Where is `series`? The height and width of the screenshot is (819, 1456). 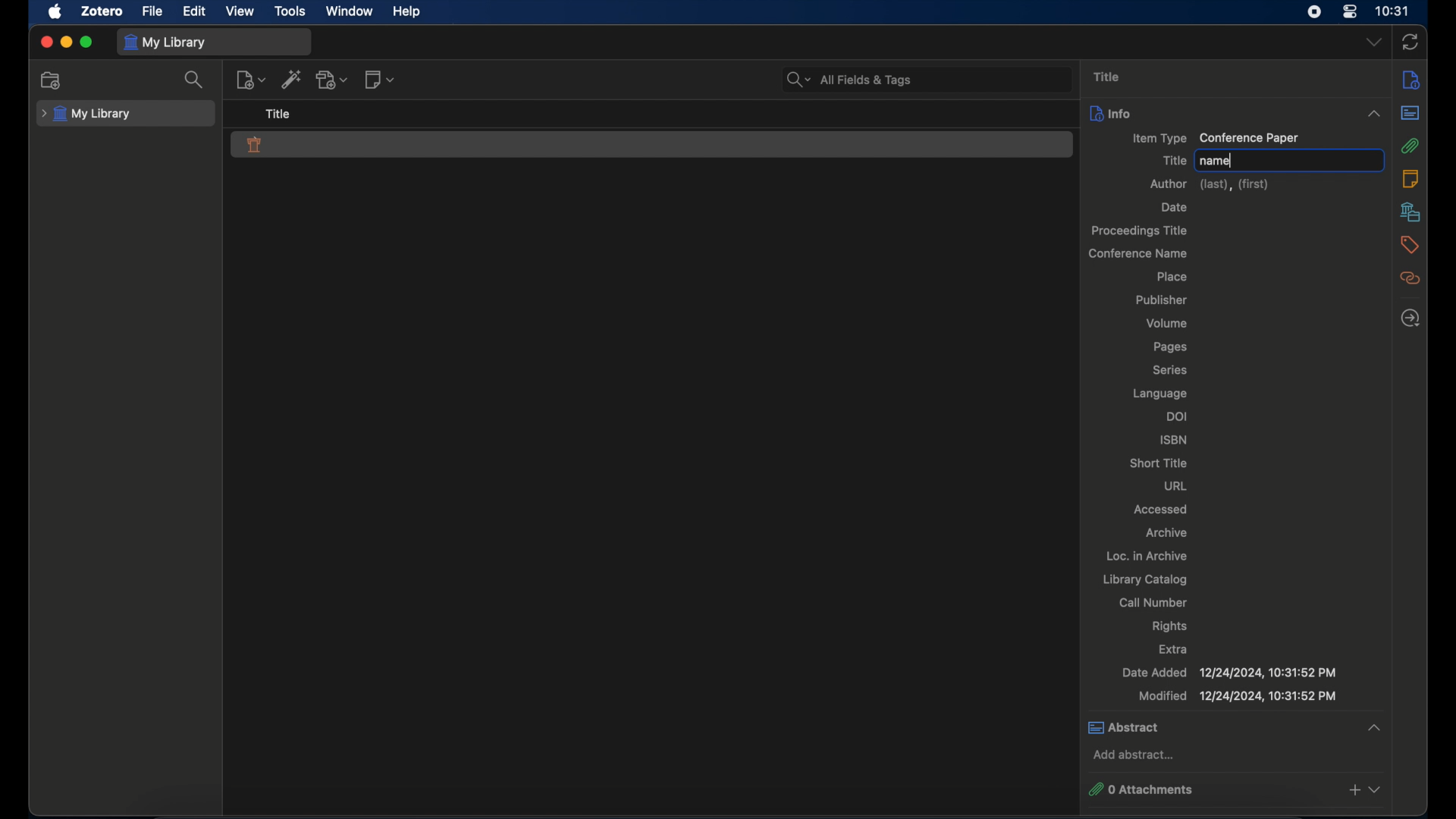 series is located at coordinates (1170, 369).